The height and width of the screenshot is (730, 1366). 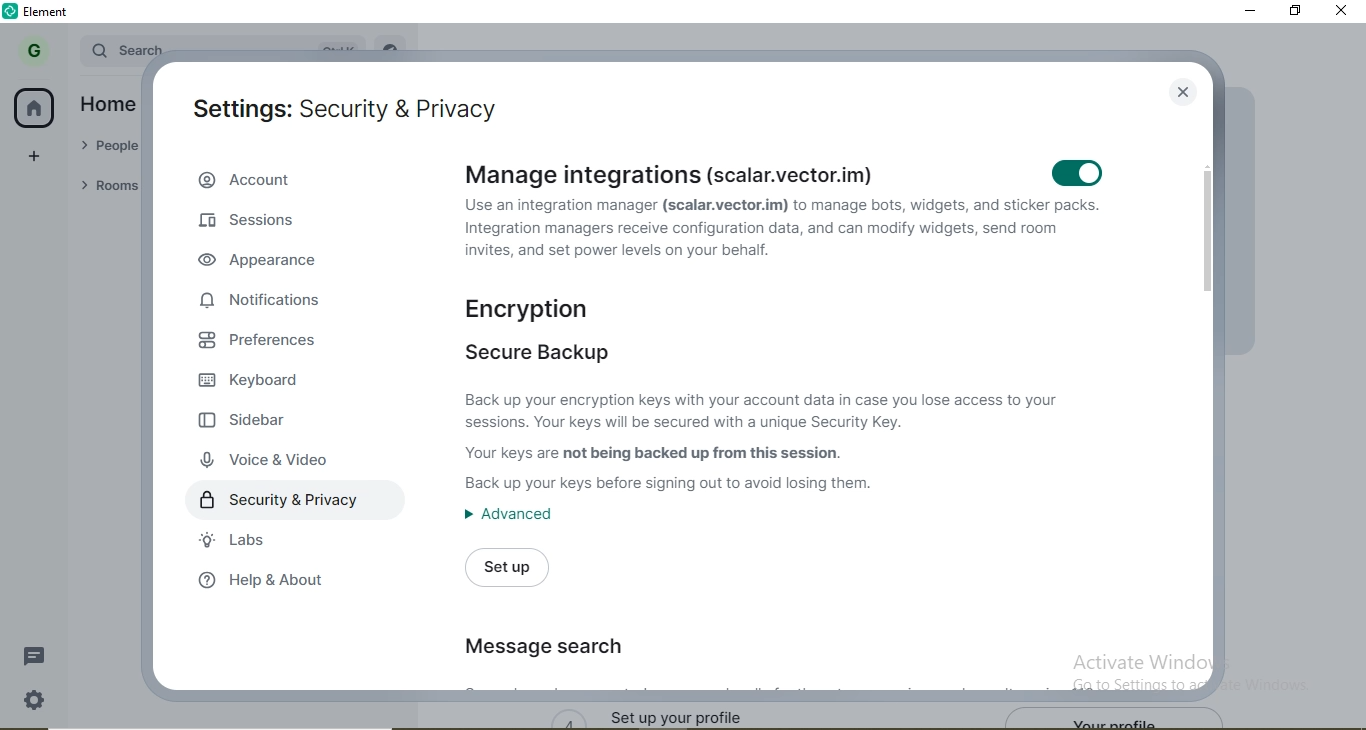 I want to click on notifications, so click(x=267, y=303).